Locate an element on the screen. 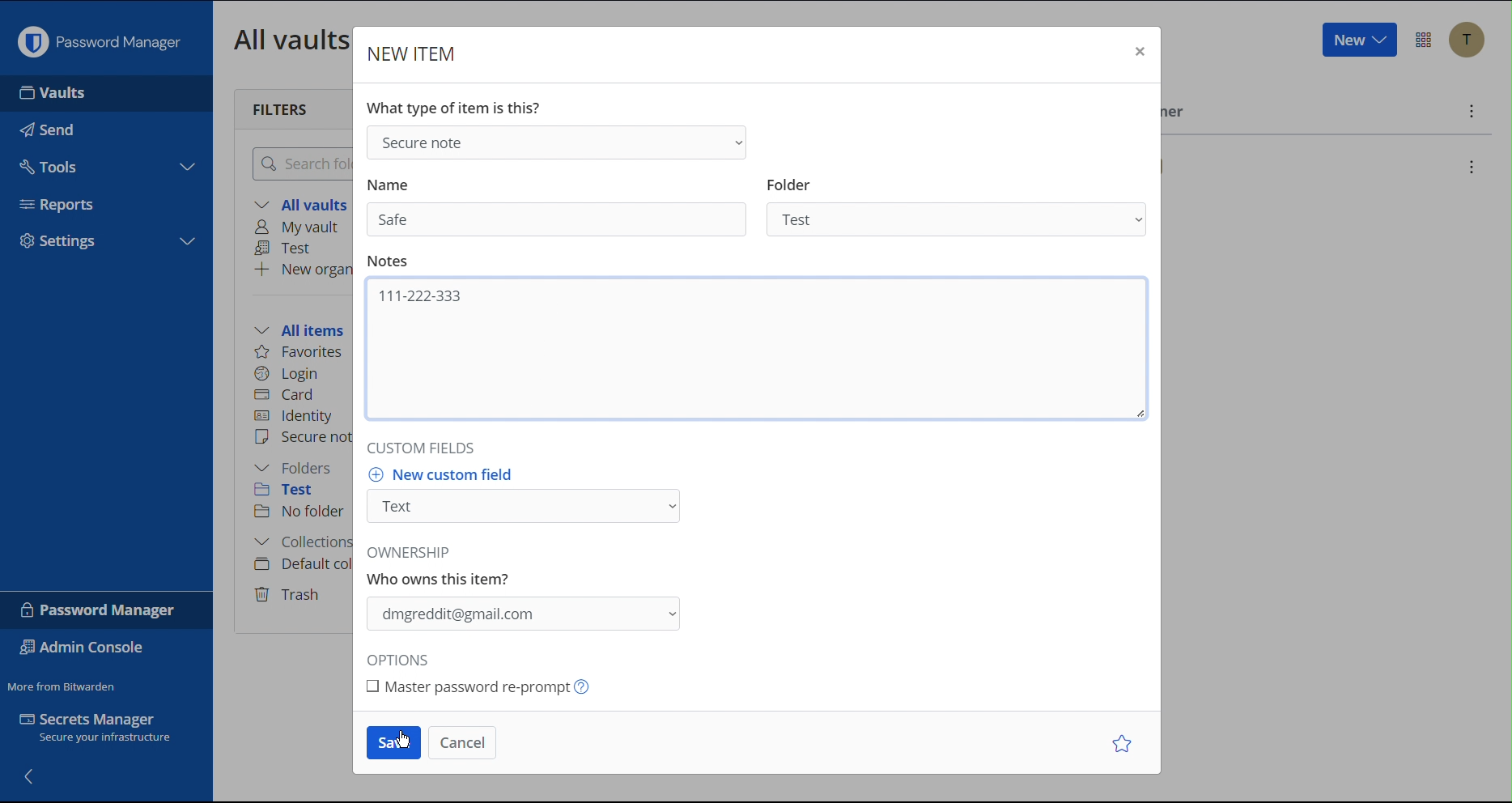  What type of item is this is located at coordinates (452, 108).